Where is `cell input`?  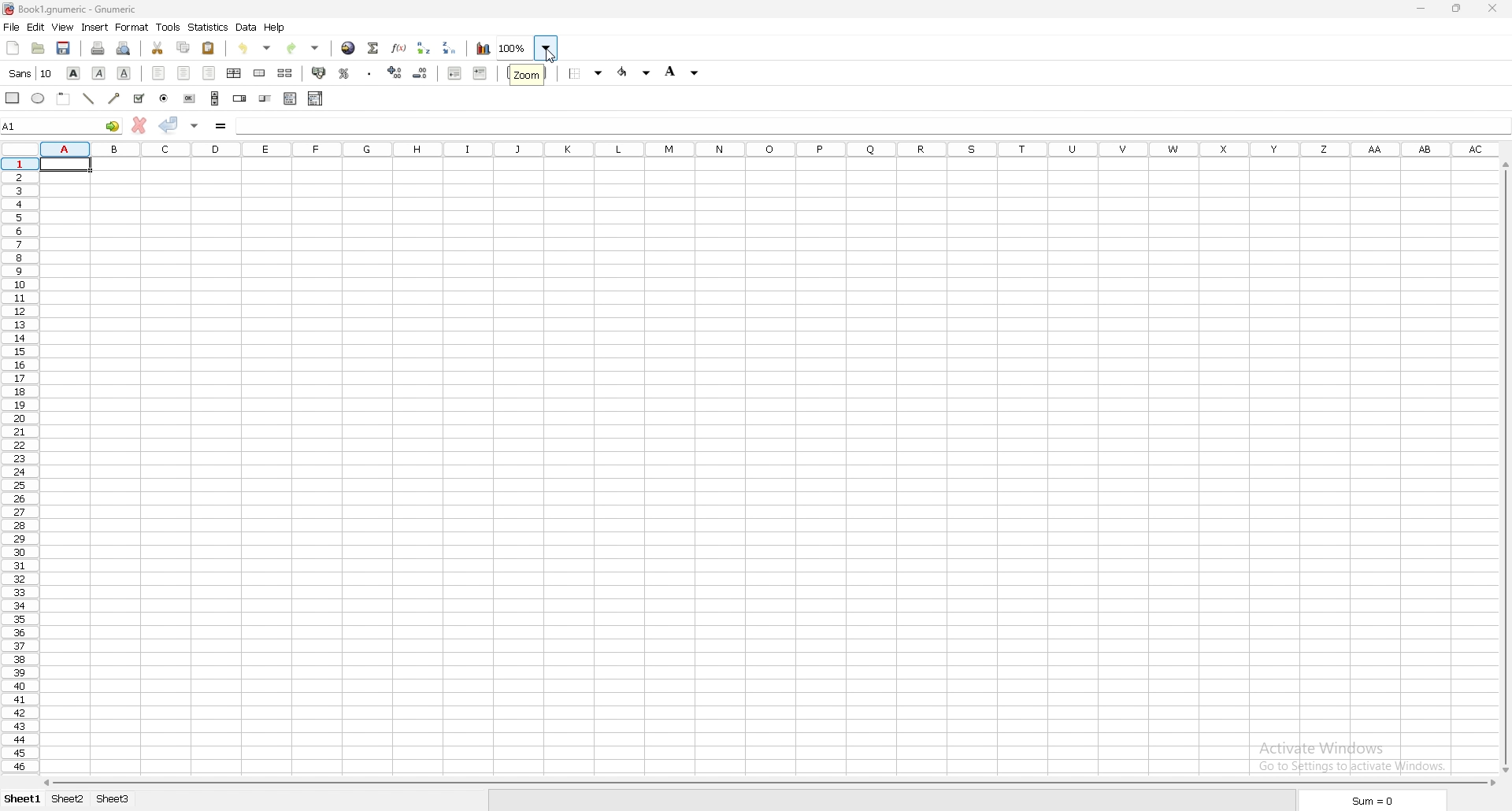
cell input is located at coordinates (869, 124).